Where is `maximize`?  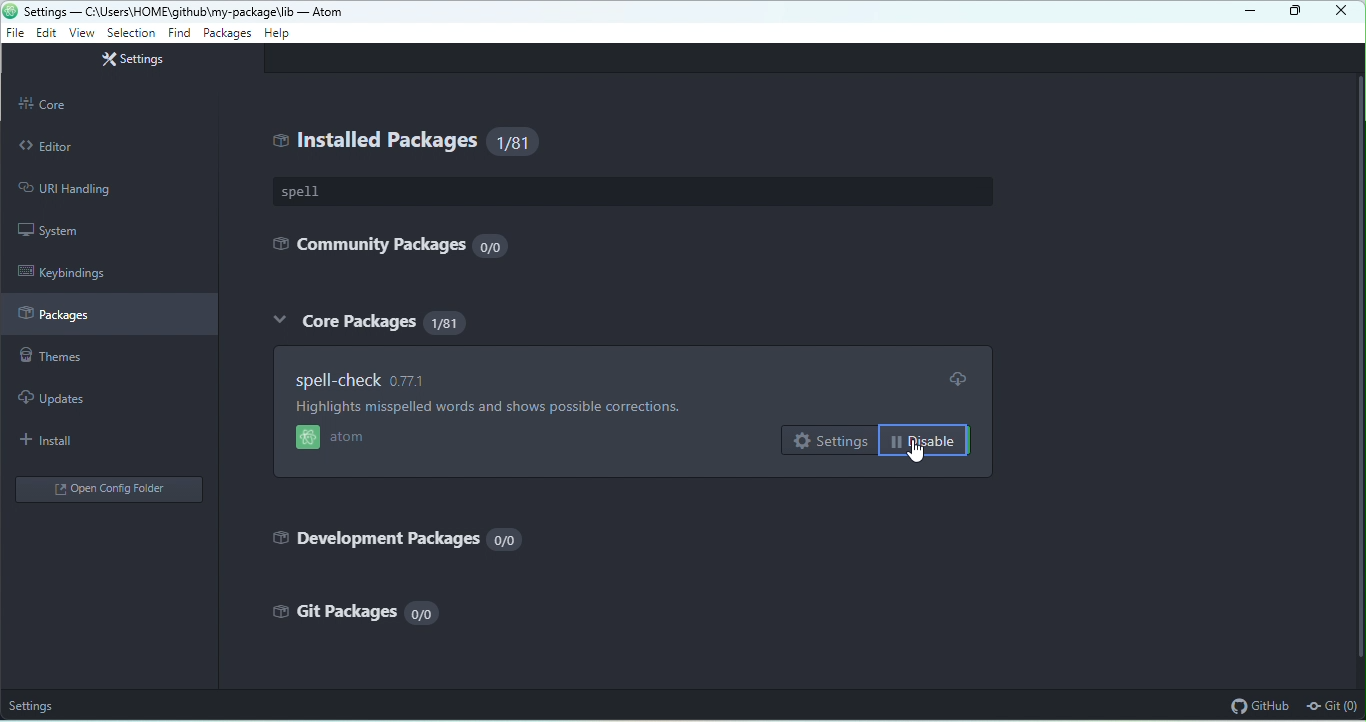 maximize is located at coordinates (1295, 12).